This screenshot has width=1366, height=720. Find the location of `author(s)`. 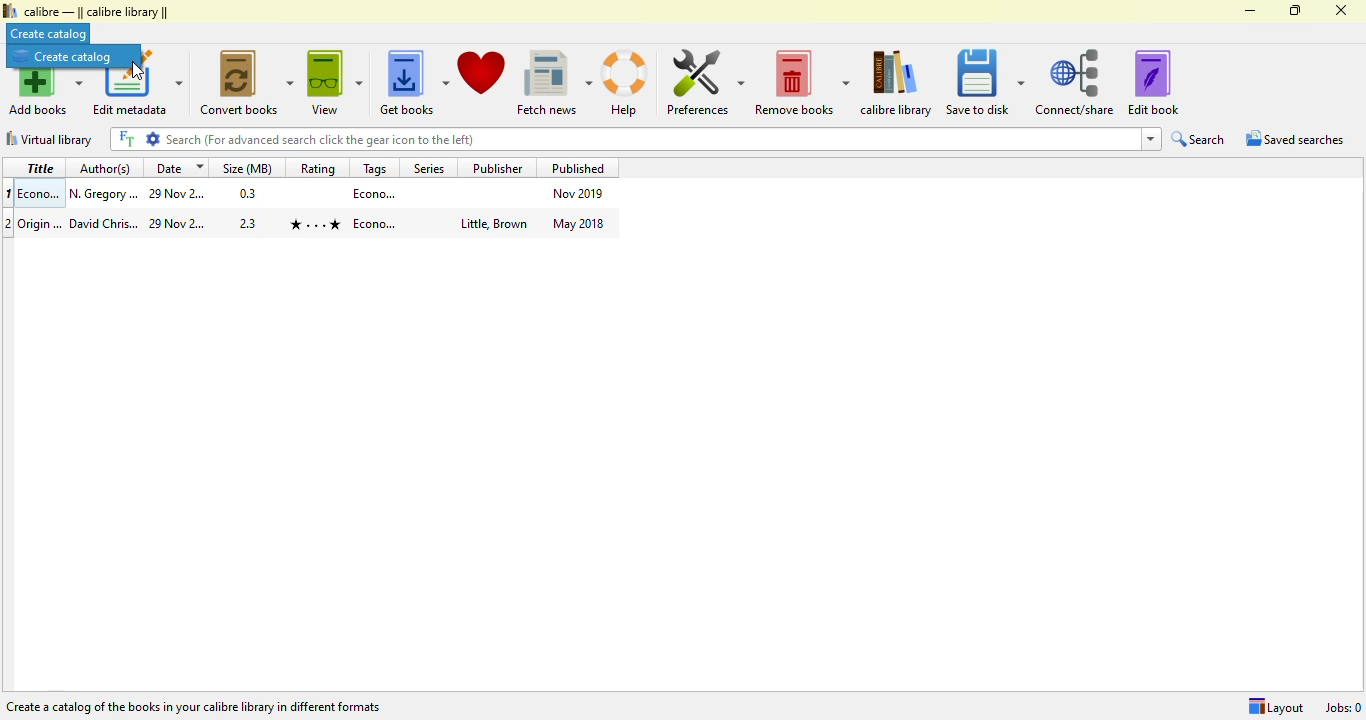

author(s) is located at coordinates (104, 169).